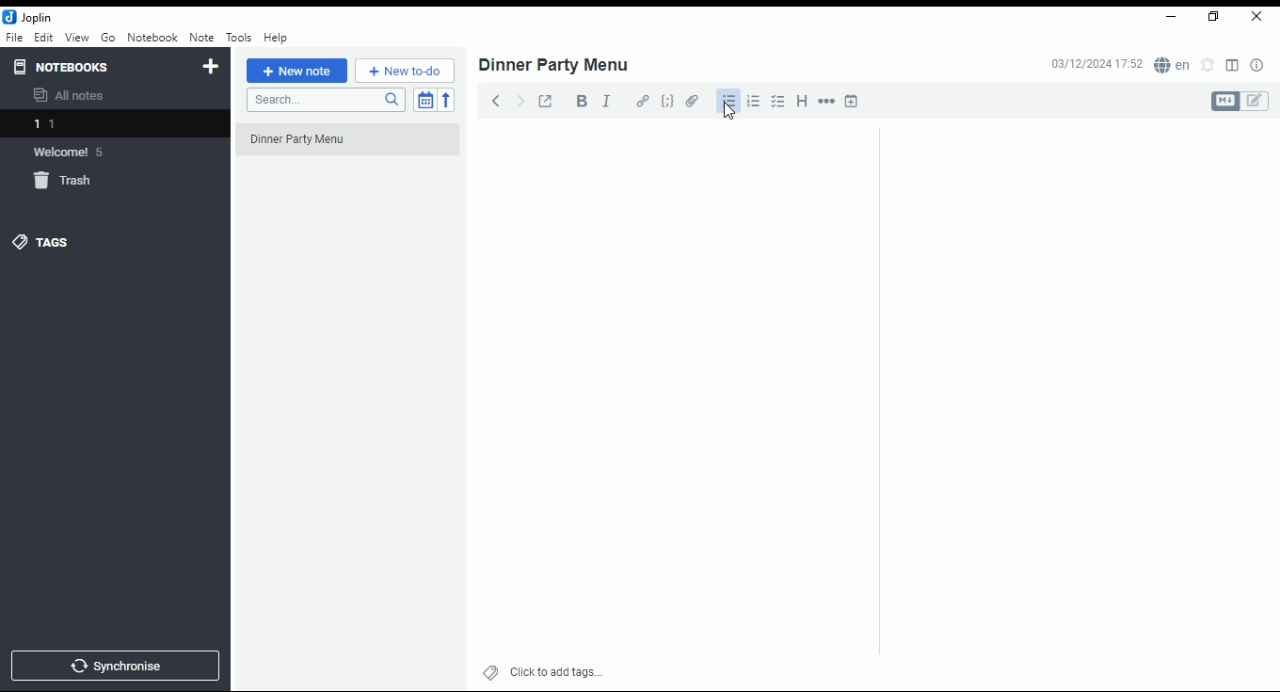 This screenshot has width=1280, height=692. I want to click on bold, so click(578, 101).